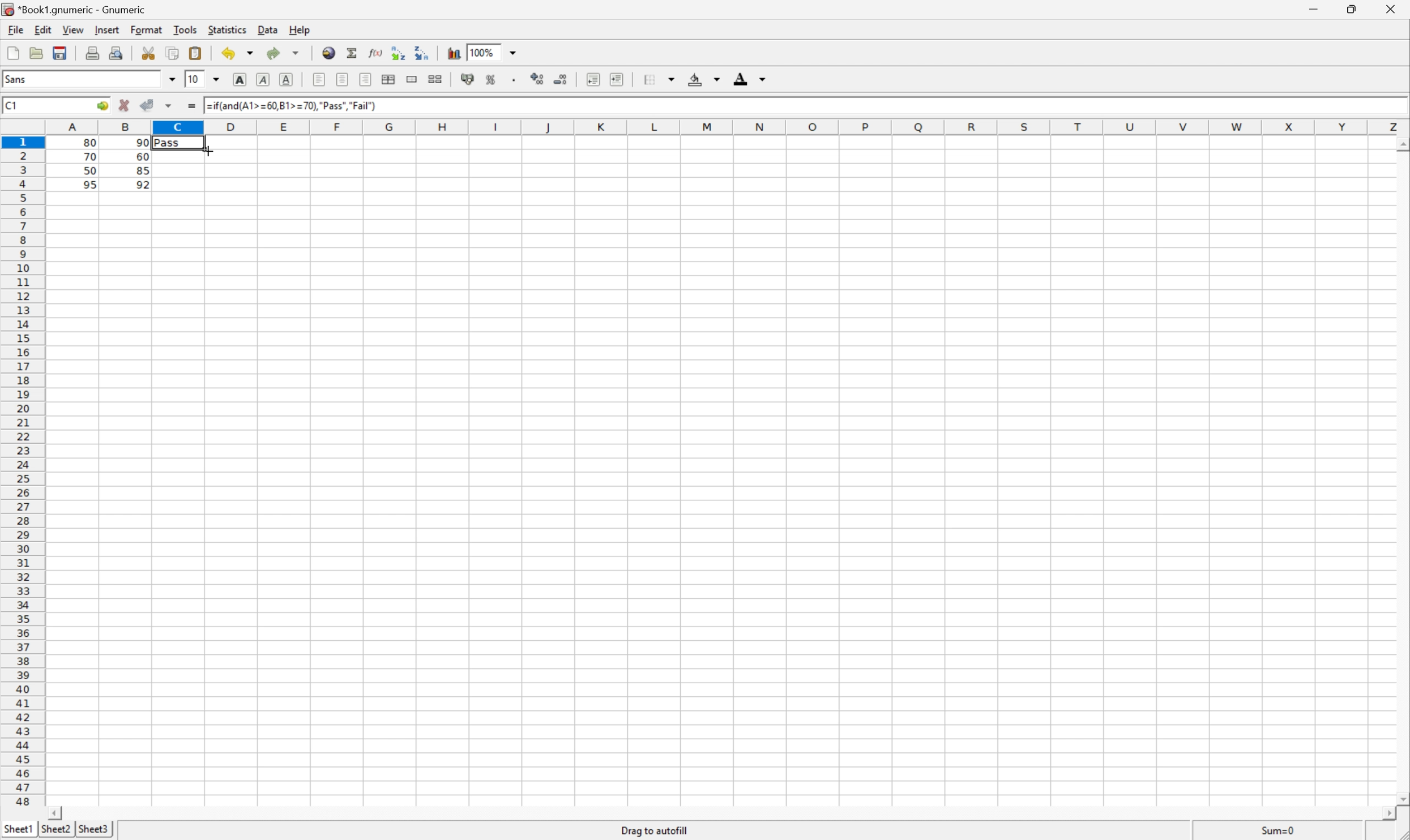  I want to click on *Book1.gnumeric - Gnumeric, so click(72, 9).